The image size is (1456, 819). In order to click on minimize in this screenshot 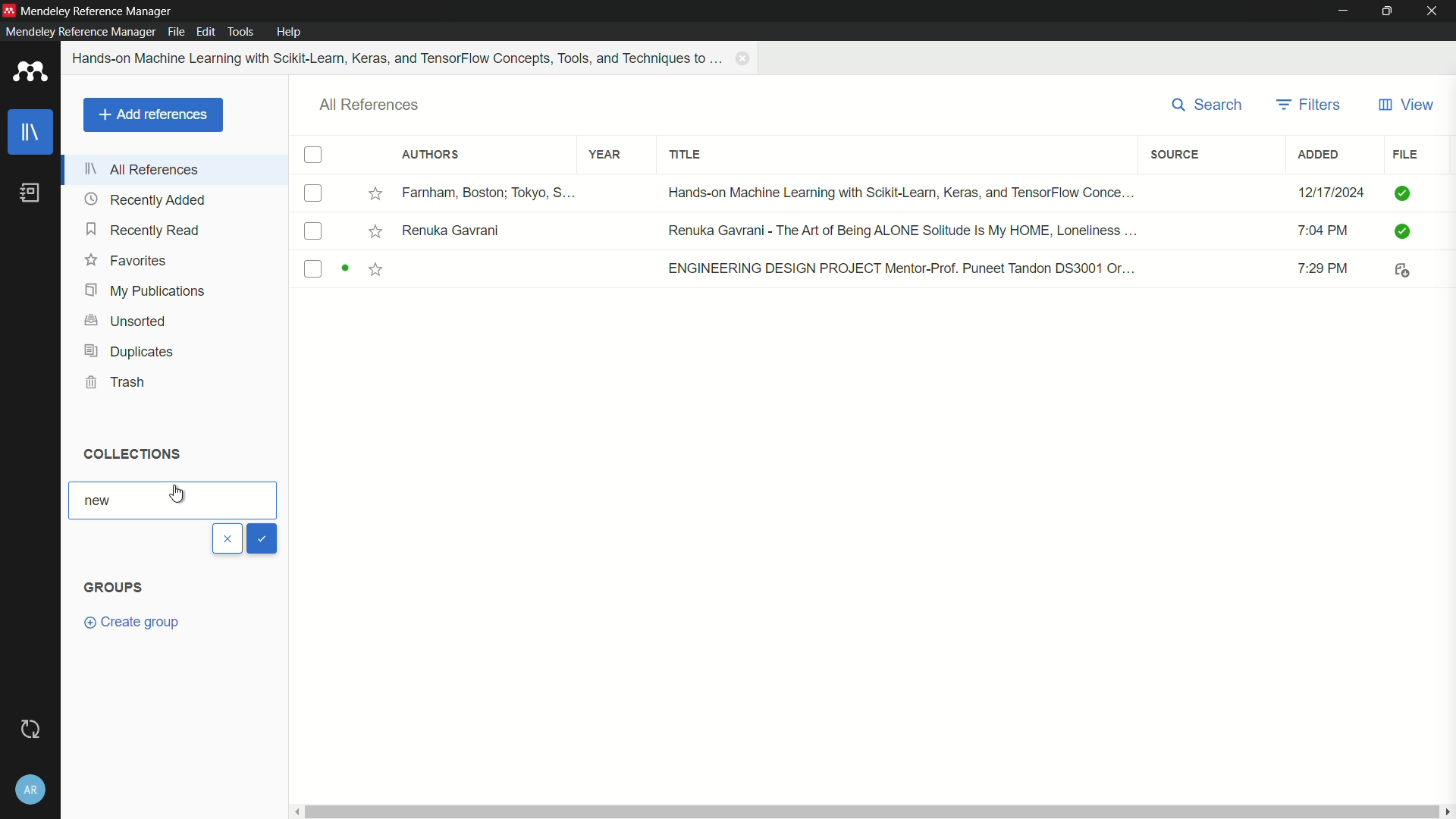, I will do `click(1344, 11)`.